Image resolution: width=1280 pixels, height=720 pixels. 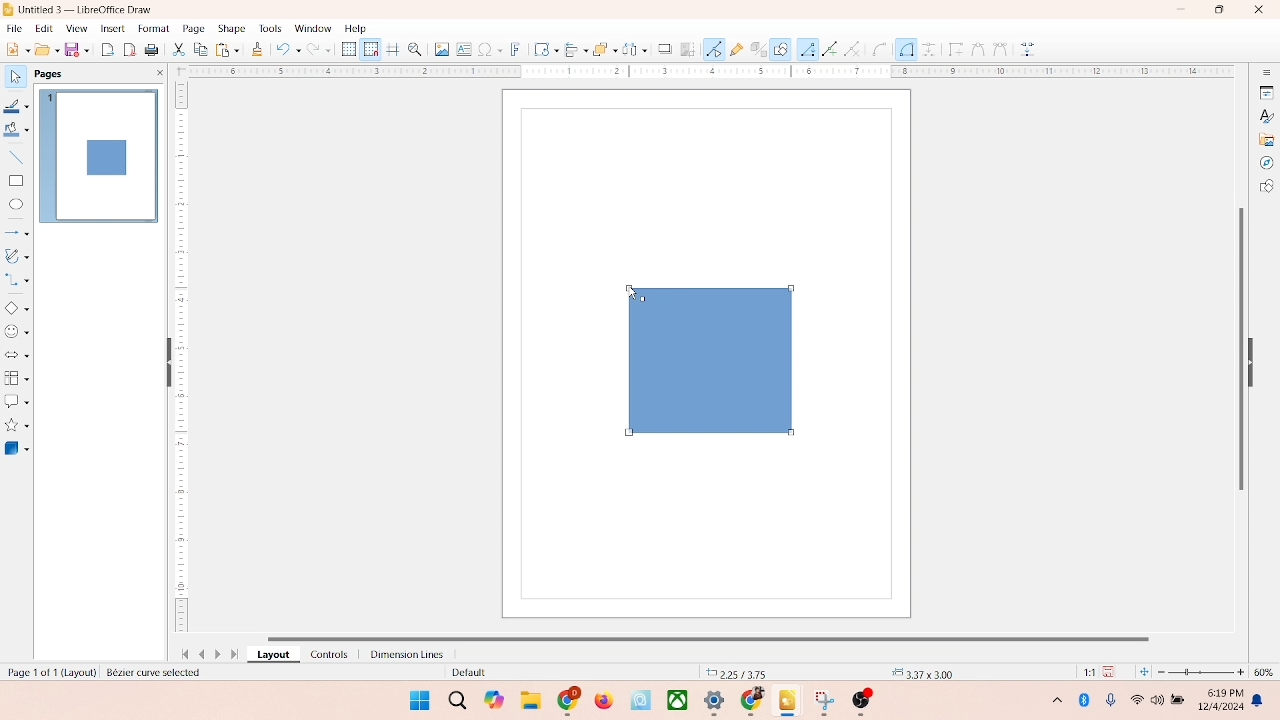 What do you see at coordinates (110, 48) in the screenshot?
I see `export` at bounding box center [110, 48].